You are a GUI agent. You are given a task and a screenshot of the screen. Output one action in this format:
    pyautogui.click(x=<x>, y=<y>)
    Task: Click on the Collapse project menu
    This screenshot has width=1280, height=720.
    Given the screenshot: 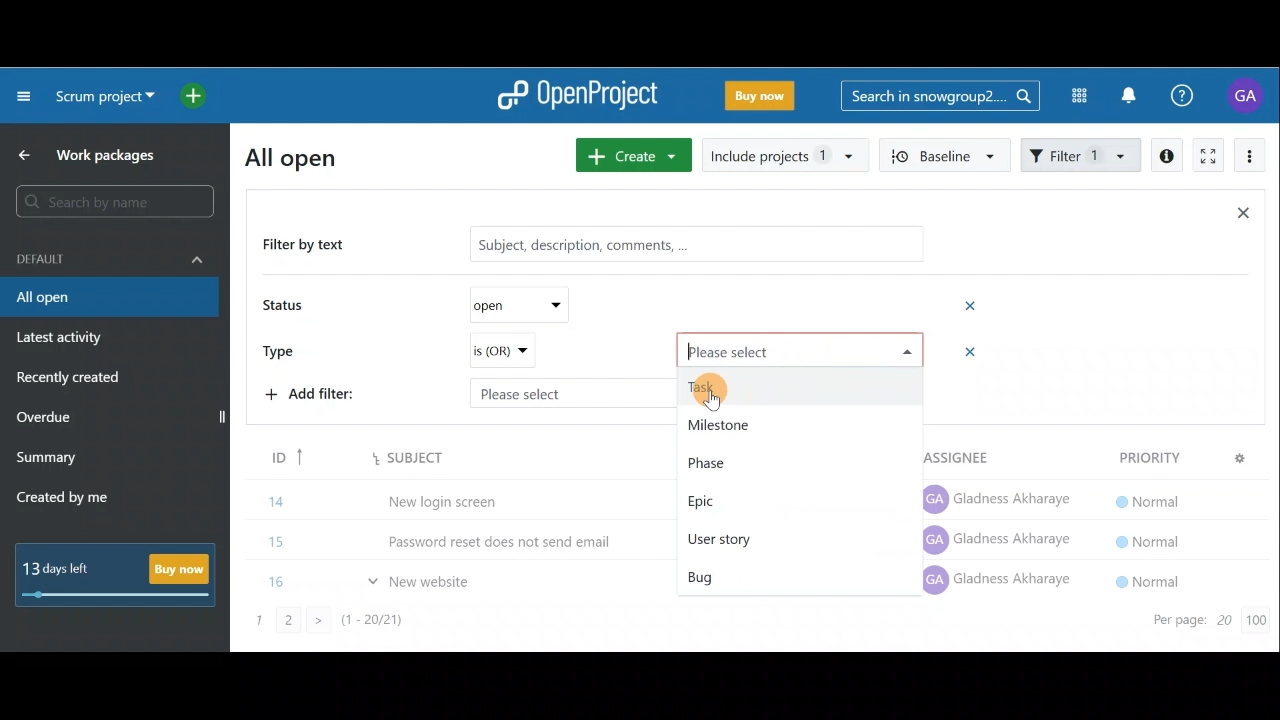 What is the action you would take?
    pyautogui.click(x=25, y=95)
    